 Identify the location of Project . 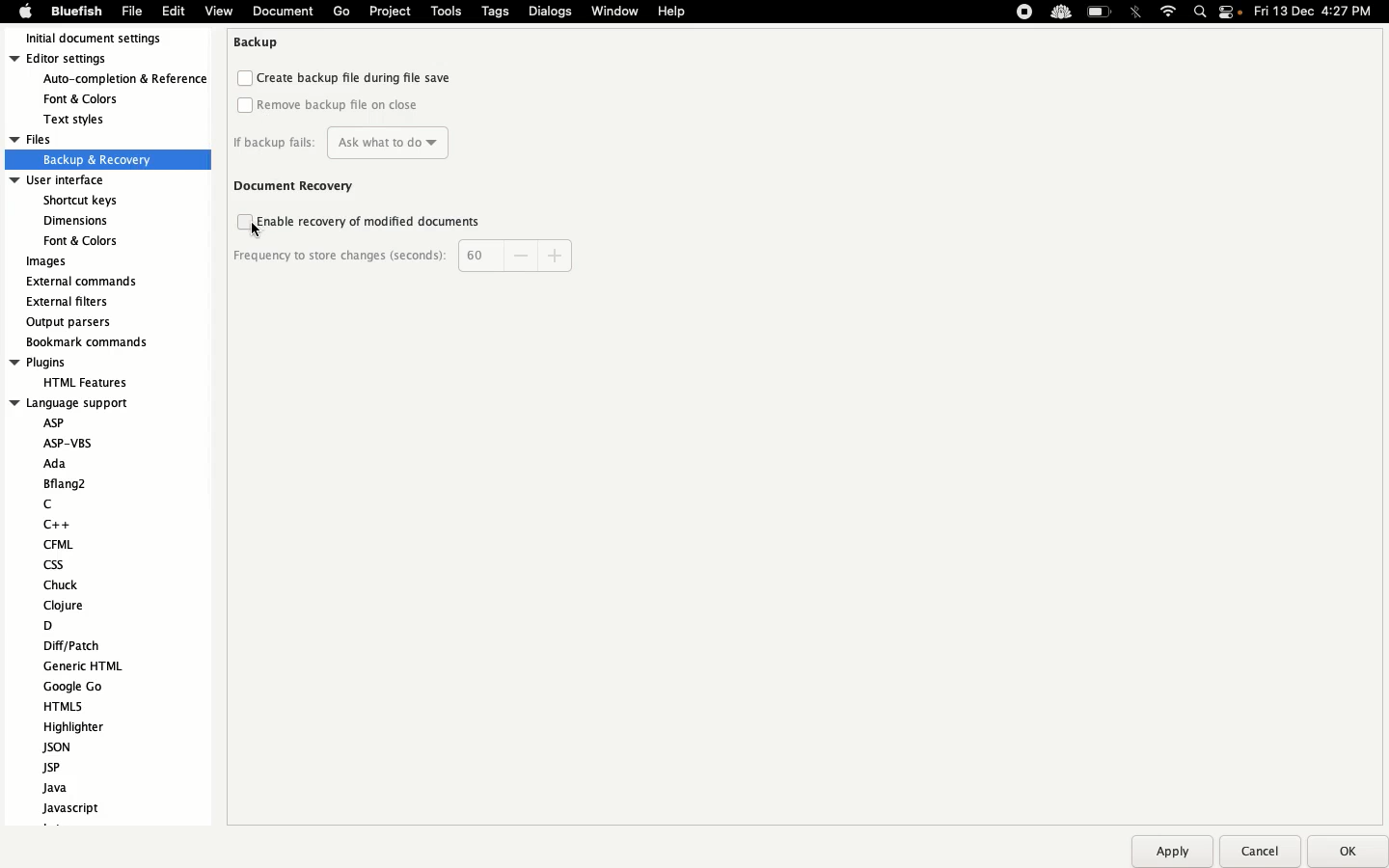
(392, 13).